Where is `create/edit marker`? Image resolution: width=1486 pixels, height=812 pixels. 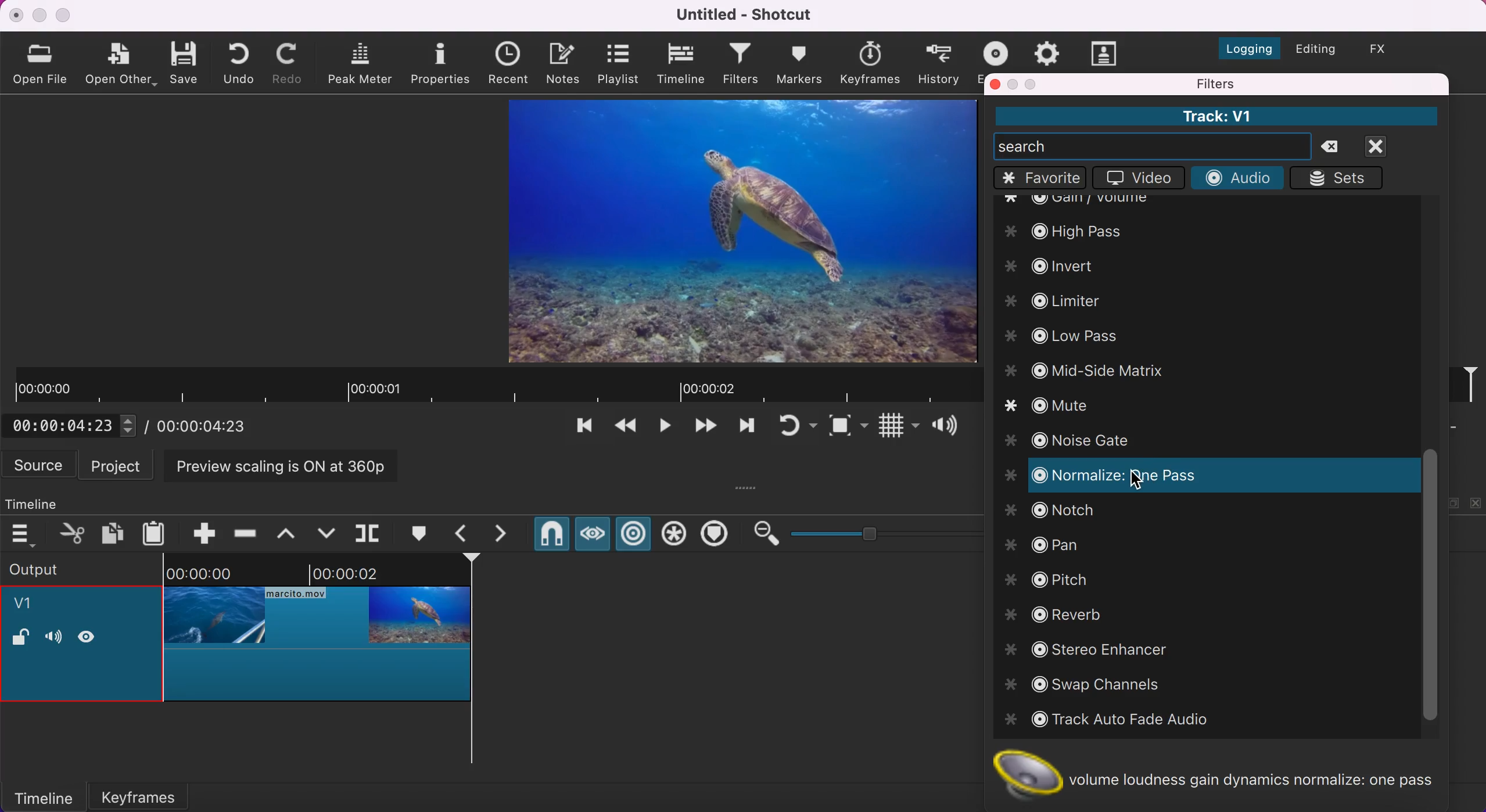 create/edit marker is located at coordinates (422, 534).